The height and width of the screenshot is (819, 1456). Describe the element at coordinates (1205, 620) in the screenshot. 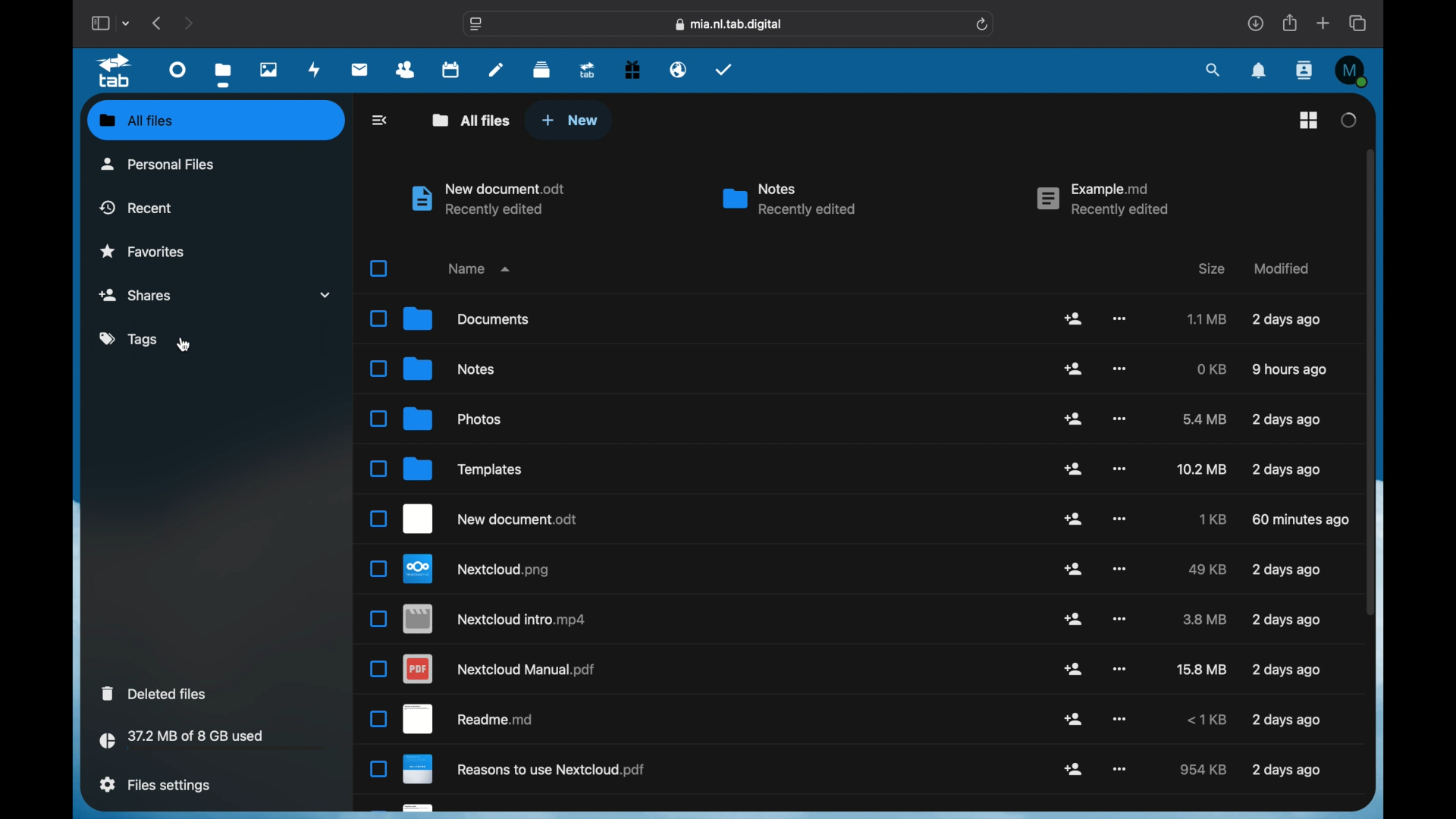

I see `size` at that location.